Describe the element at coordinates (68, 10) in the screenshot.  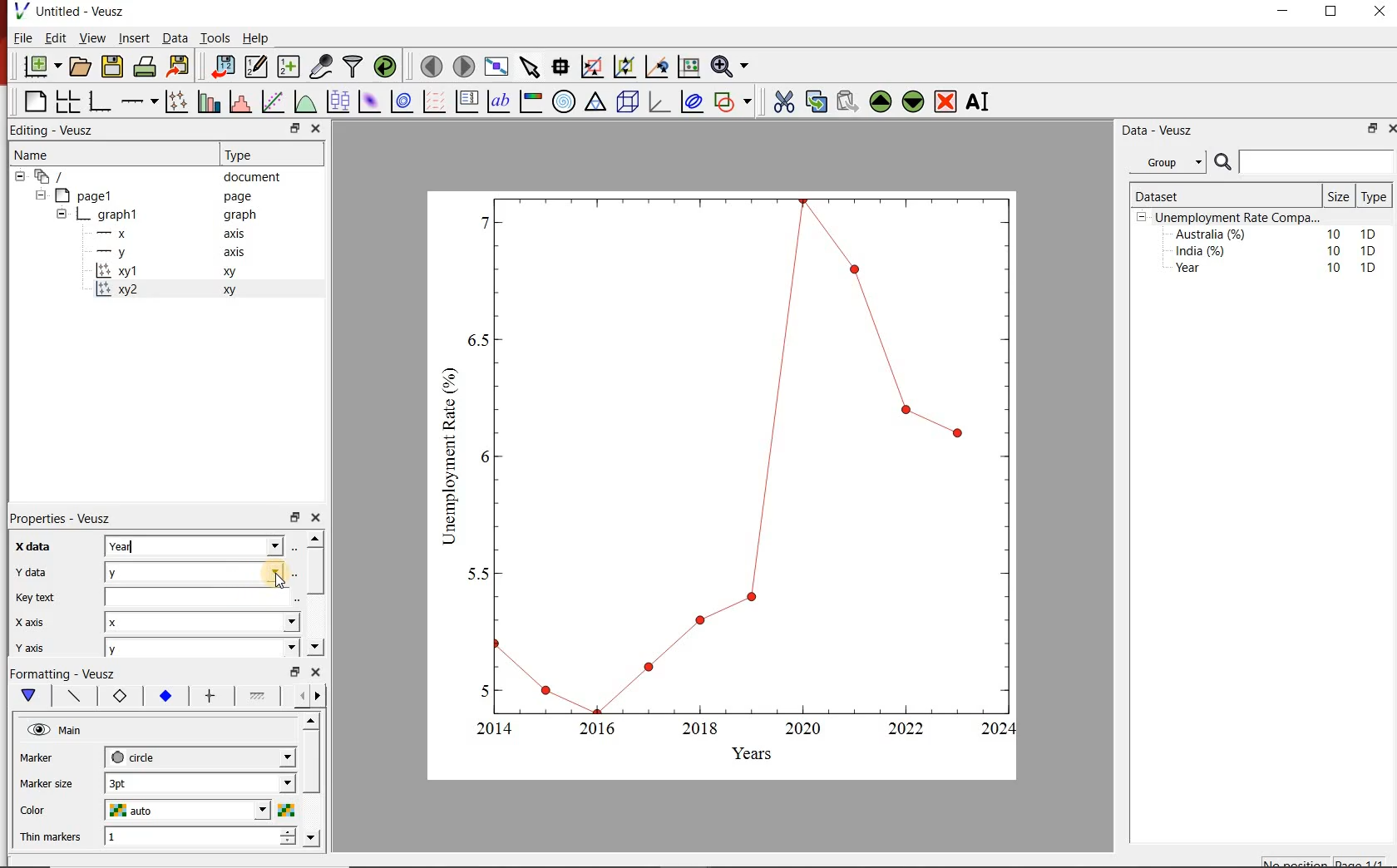
I see `Untitled - Veusz` at that location.